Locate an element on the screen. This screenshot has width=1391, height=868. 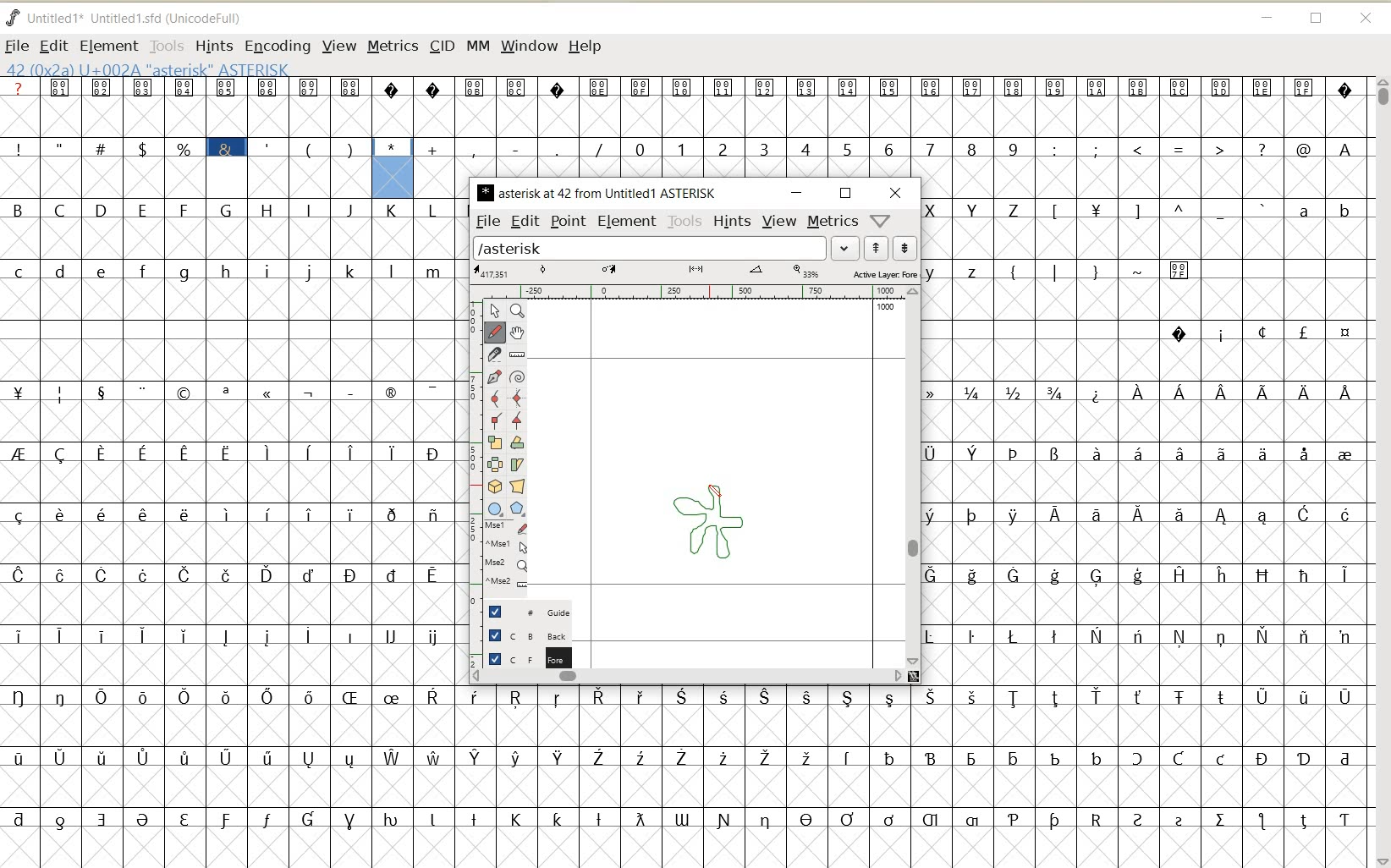
EXPAND is located at coordinates (845, 248).